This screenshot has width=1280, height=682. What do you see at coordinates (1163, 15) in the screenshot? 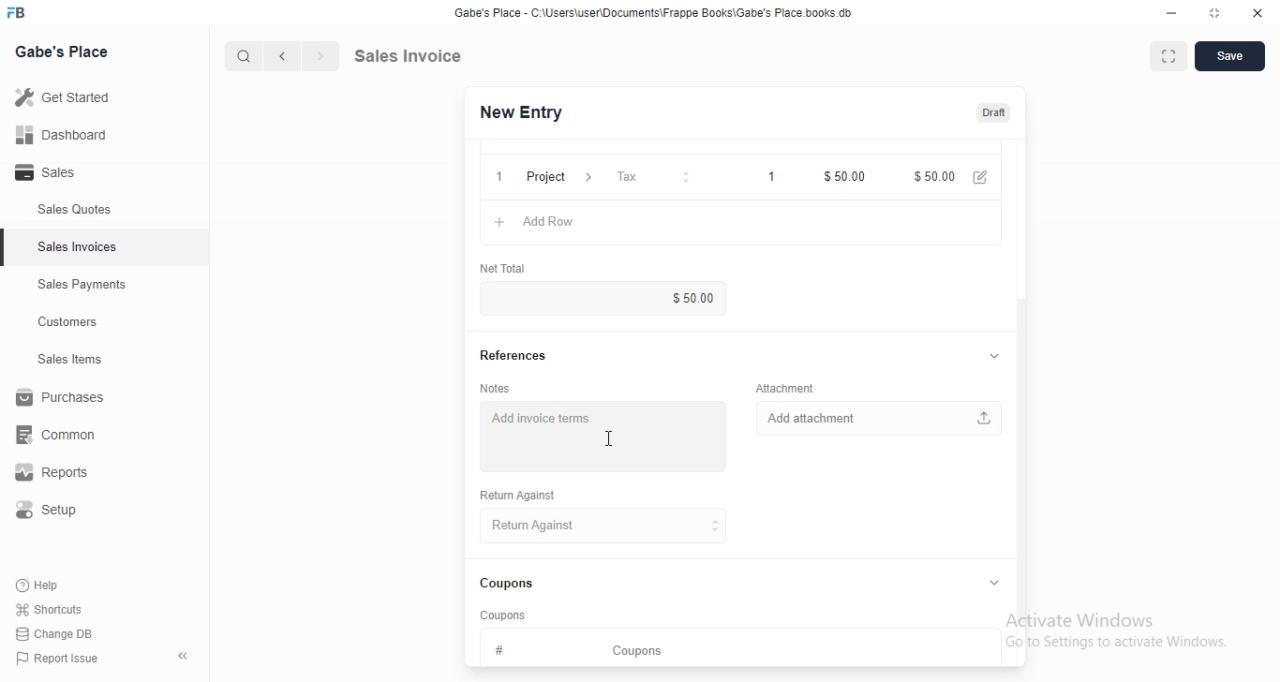
I see `minimize` at bounding box center [1163, 15].